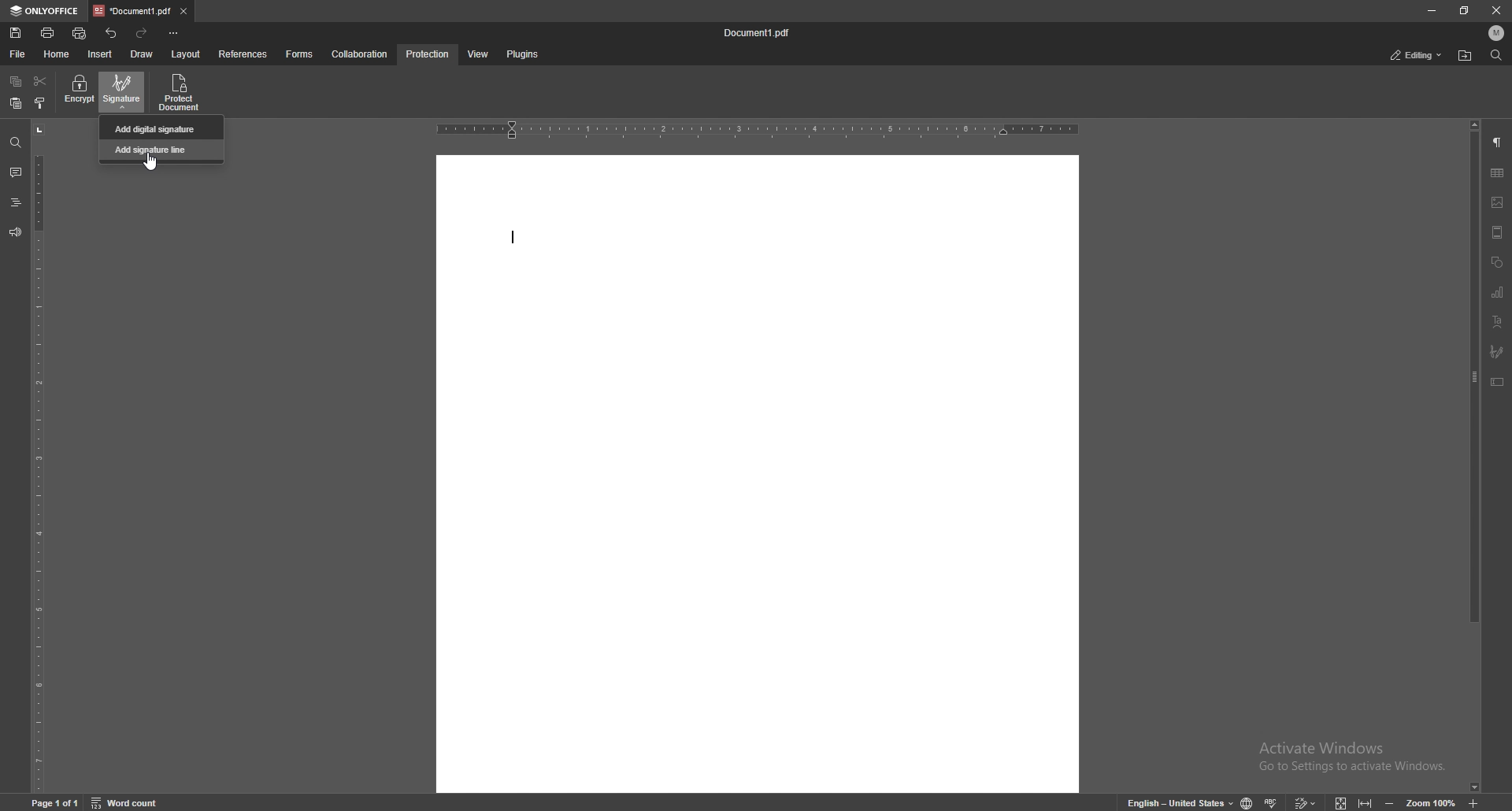 This screenshot has height=811, width=1512. What do you see at coordinates (1174, 802) in the screenshot?
I see `change text language` at bounding box center [1174, 802].